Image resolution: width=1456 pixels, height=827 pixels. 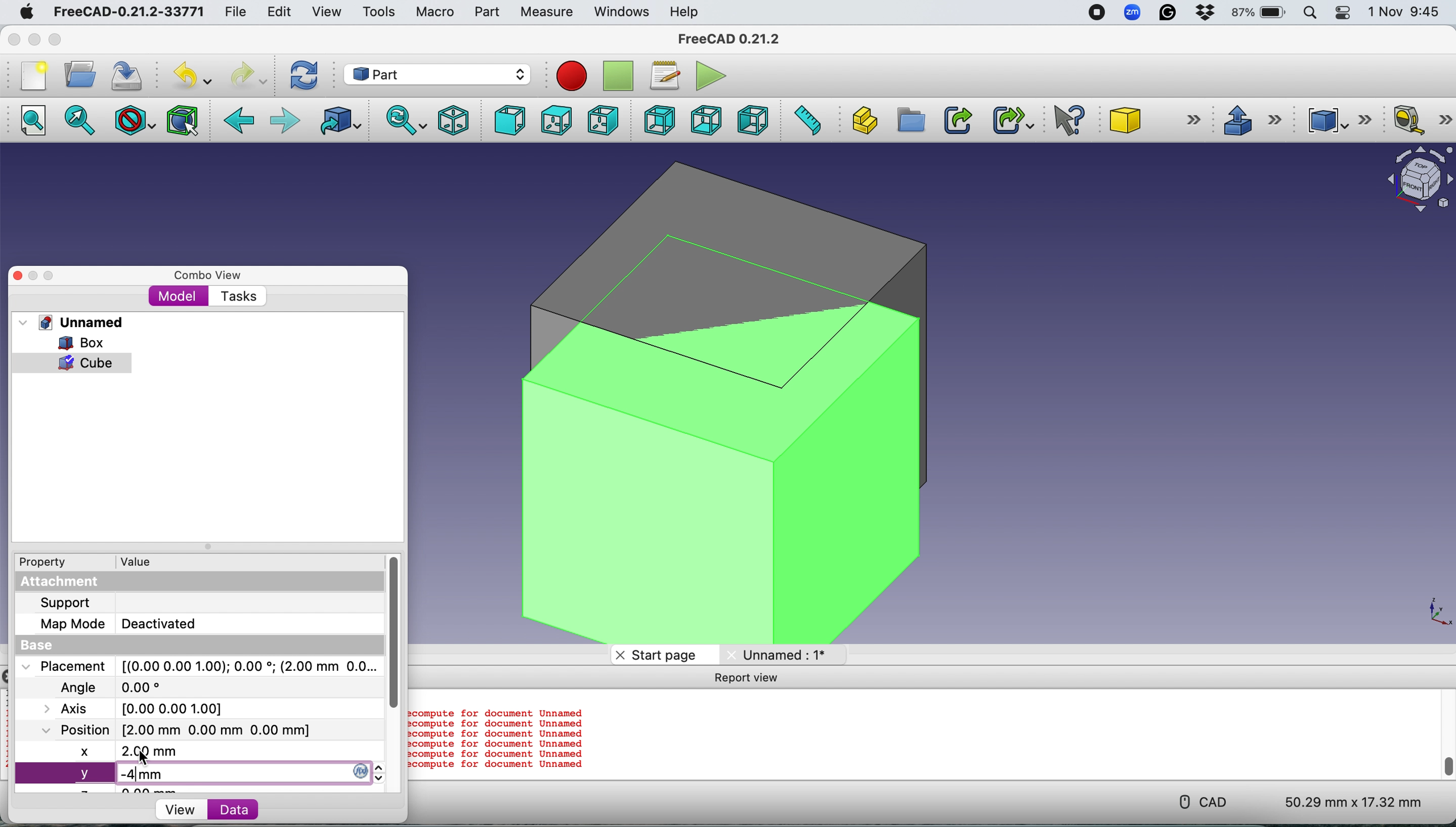 I want to click on Spotlight search, so click(x=1313, y=12).